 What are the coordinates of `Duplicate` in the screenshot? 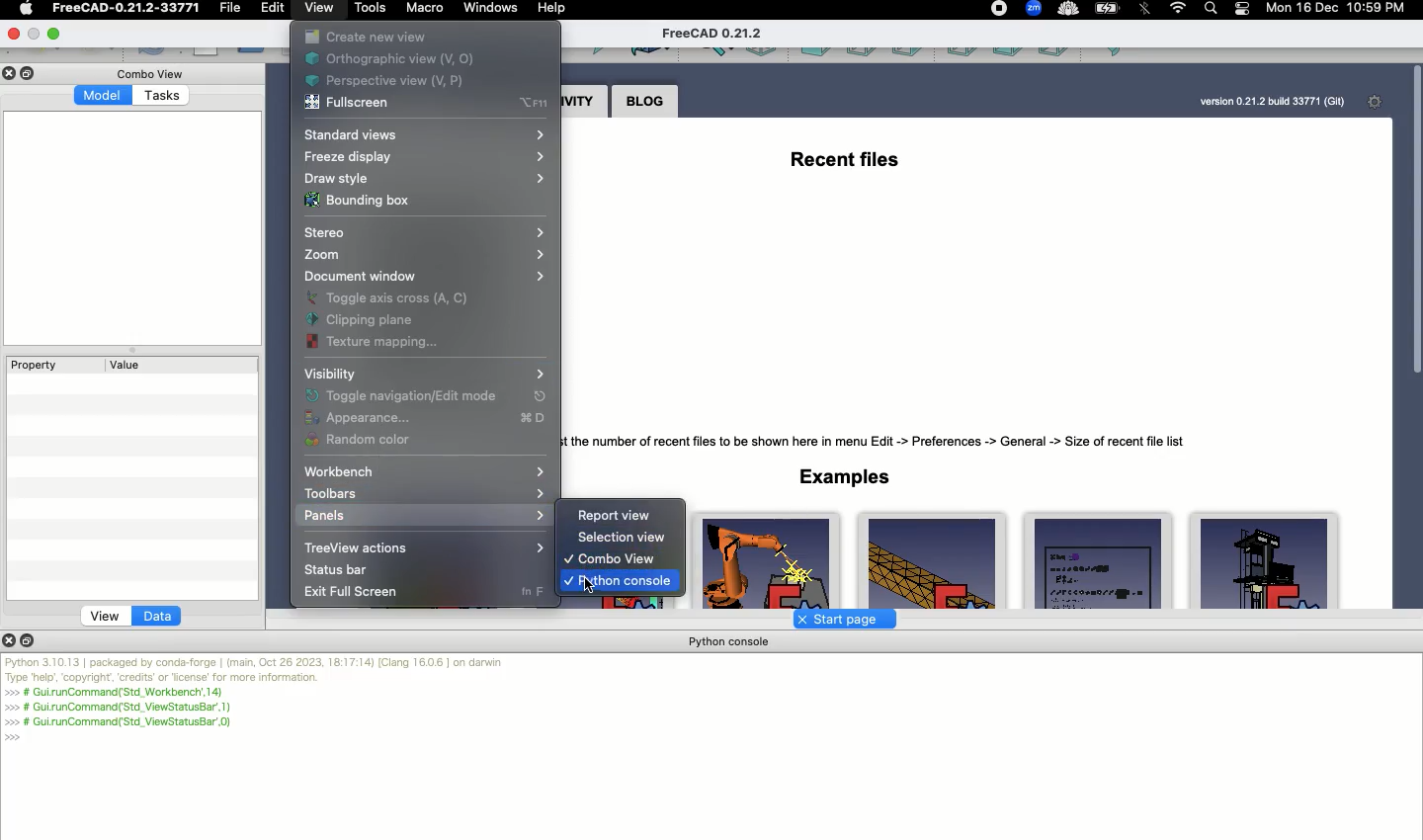 It's located at (31, 74).